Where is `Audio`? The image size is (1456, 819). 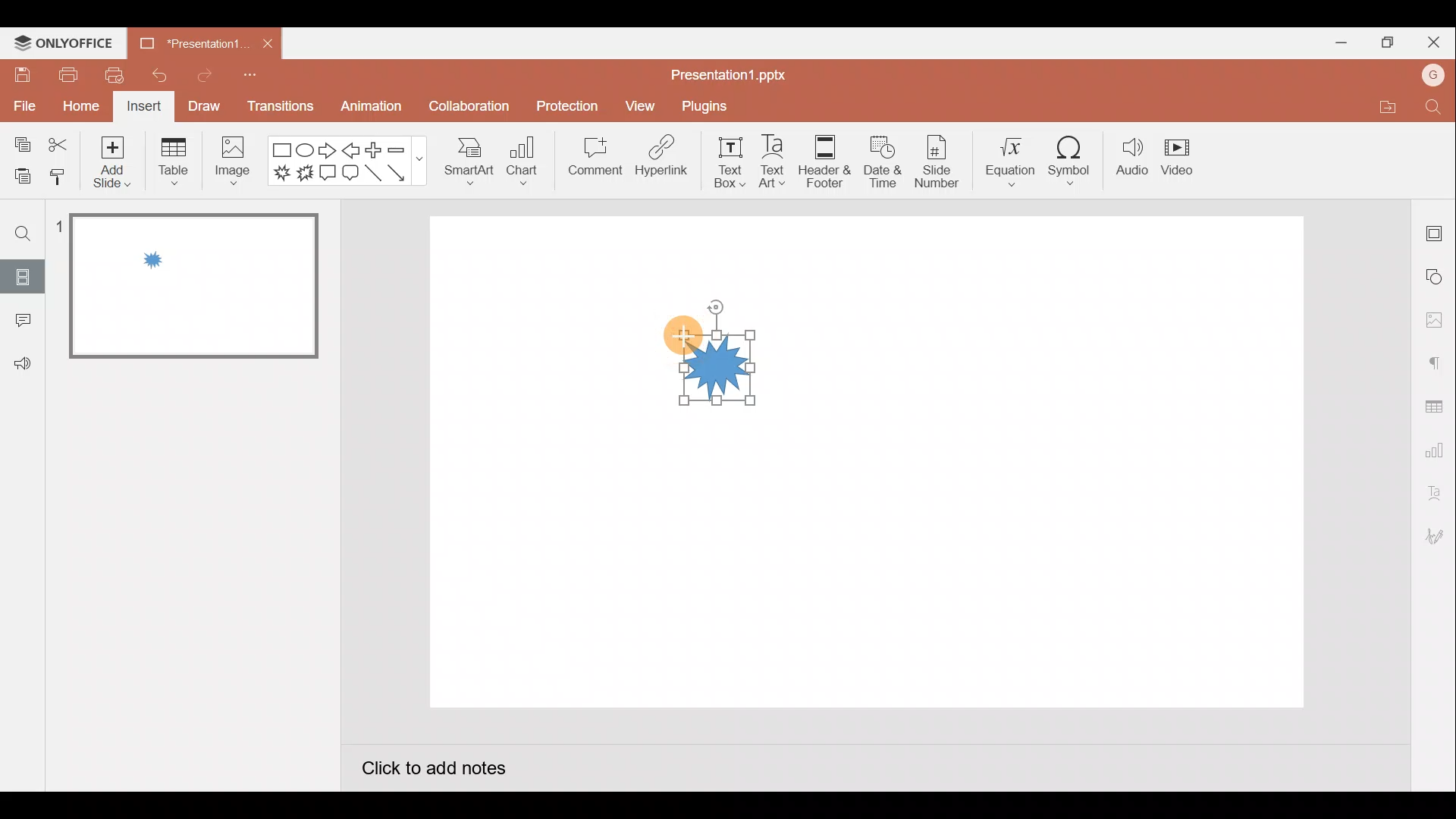 Audio is located at coordinates (1129, 158).